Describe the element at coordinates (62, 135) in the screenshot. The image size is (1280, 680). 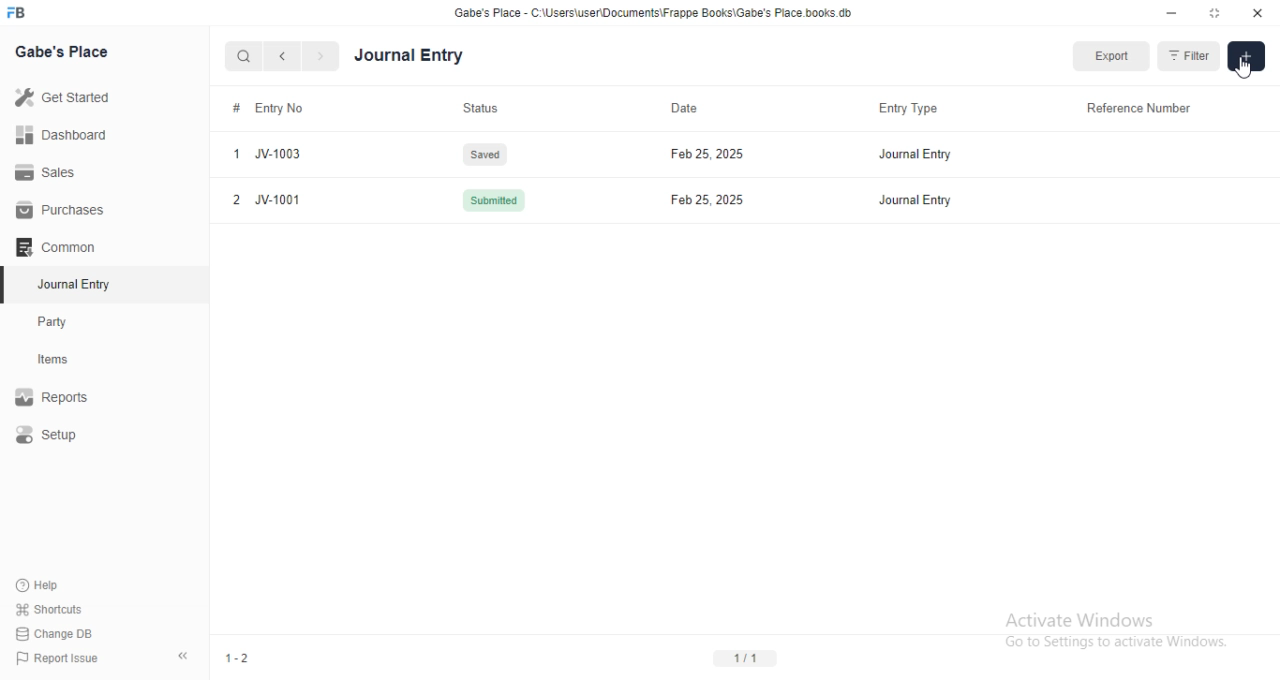
I see `Dashboard` at that location.